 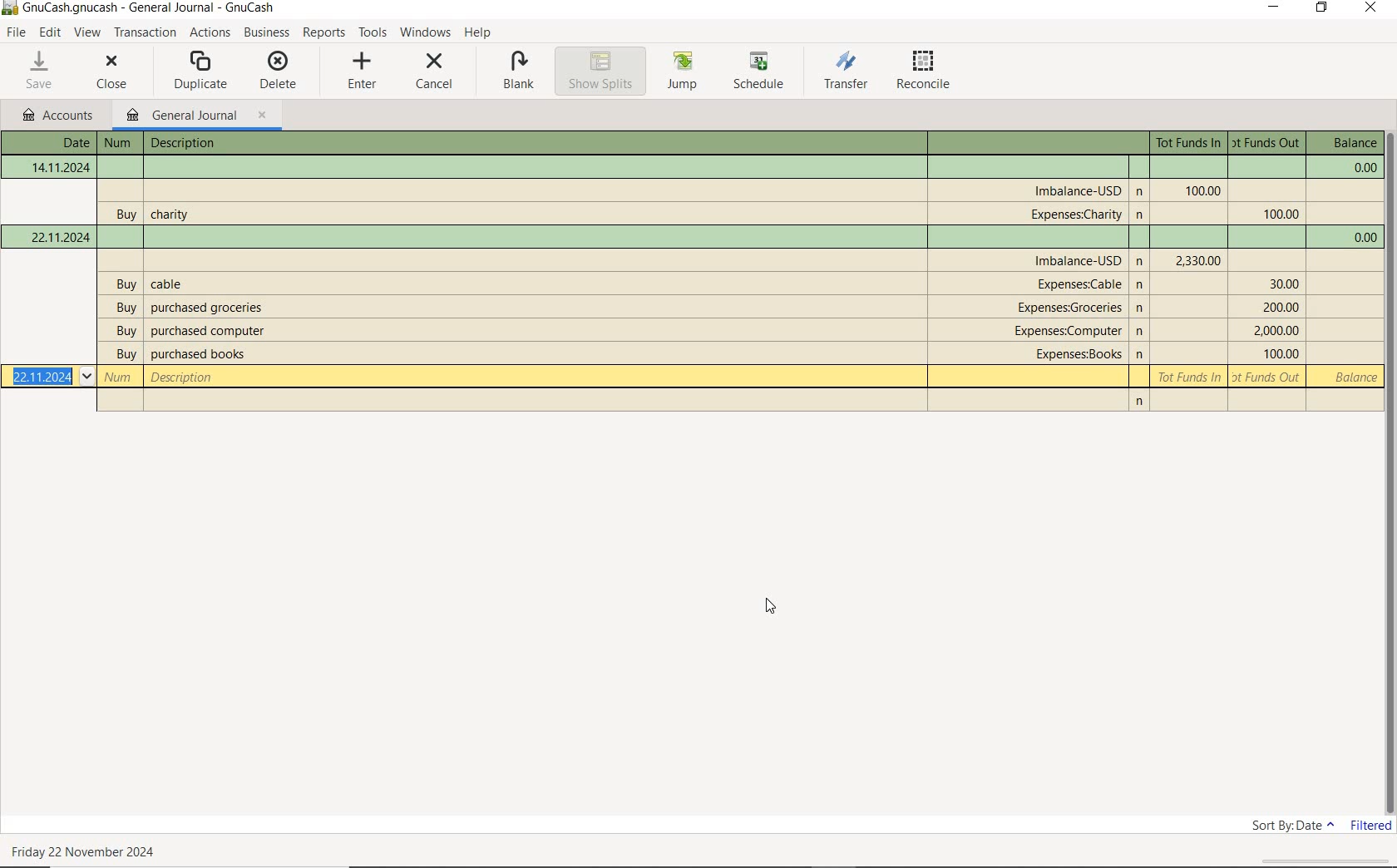 What do you see at coordinates (1142, 330) in the screenshot?
I see `n` at bounding box center [1142, 330].